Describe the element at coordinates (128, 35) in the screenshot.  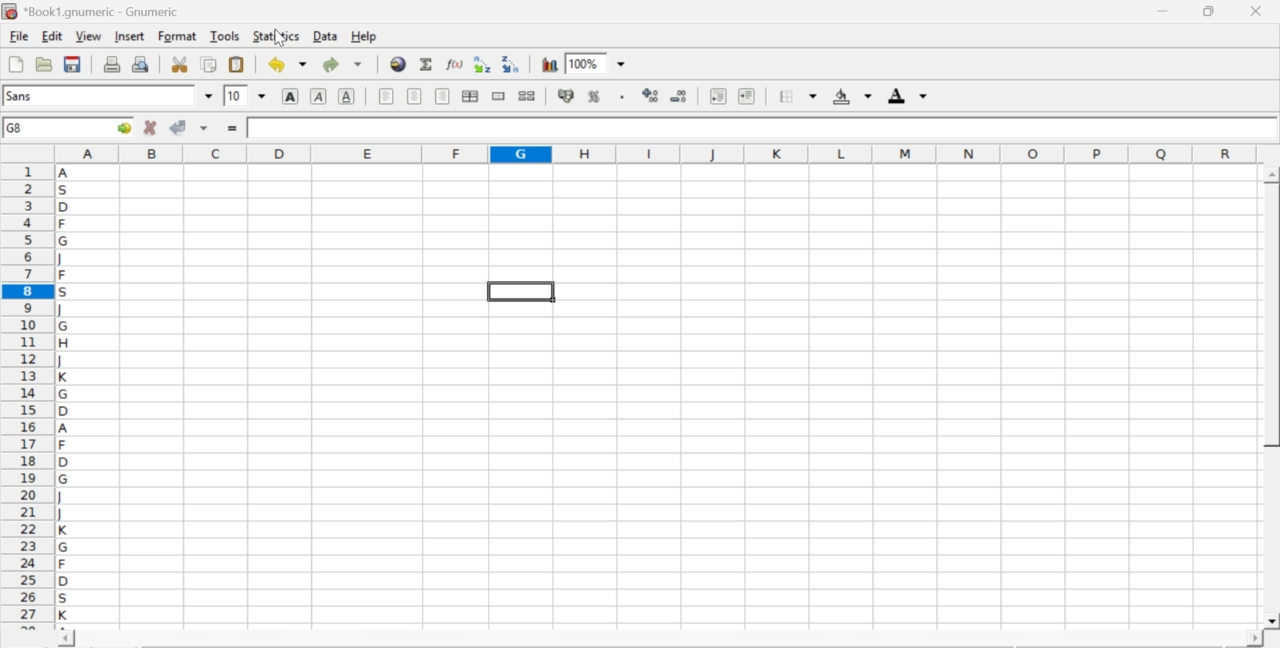
I see `insert` at that location.